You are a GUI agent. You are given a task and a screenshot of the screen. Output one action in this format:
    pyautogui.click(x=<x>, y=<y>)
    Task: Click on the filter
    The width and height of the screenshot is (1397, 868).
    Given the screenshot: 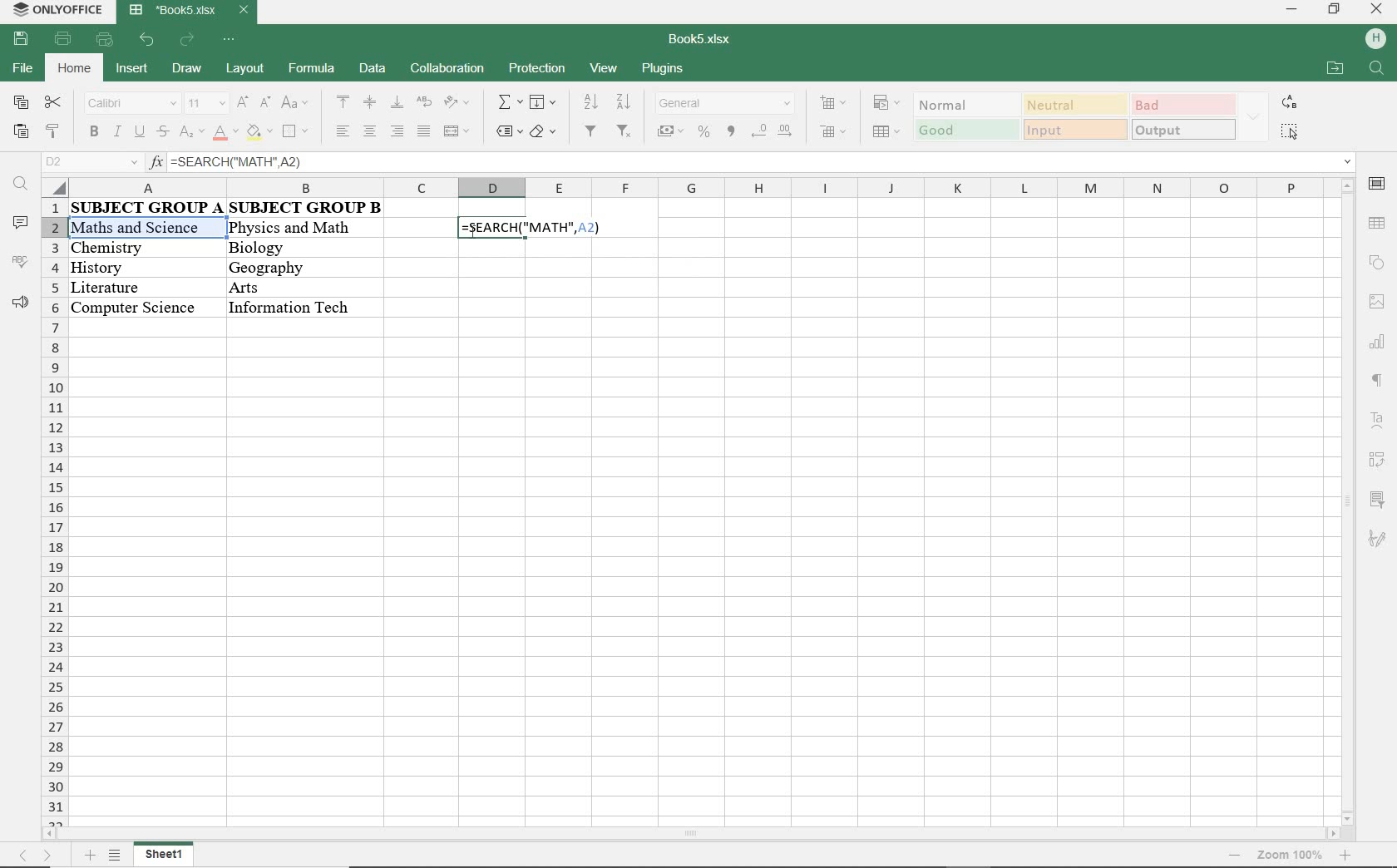 What is the action you would take?
    pyautogui.click(x=590, y=132)
    